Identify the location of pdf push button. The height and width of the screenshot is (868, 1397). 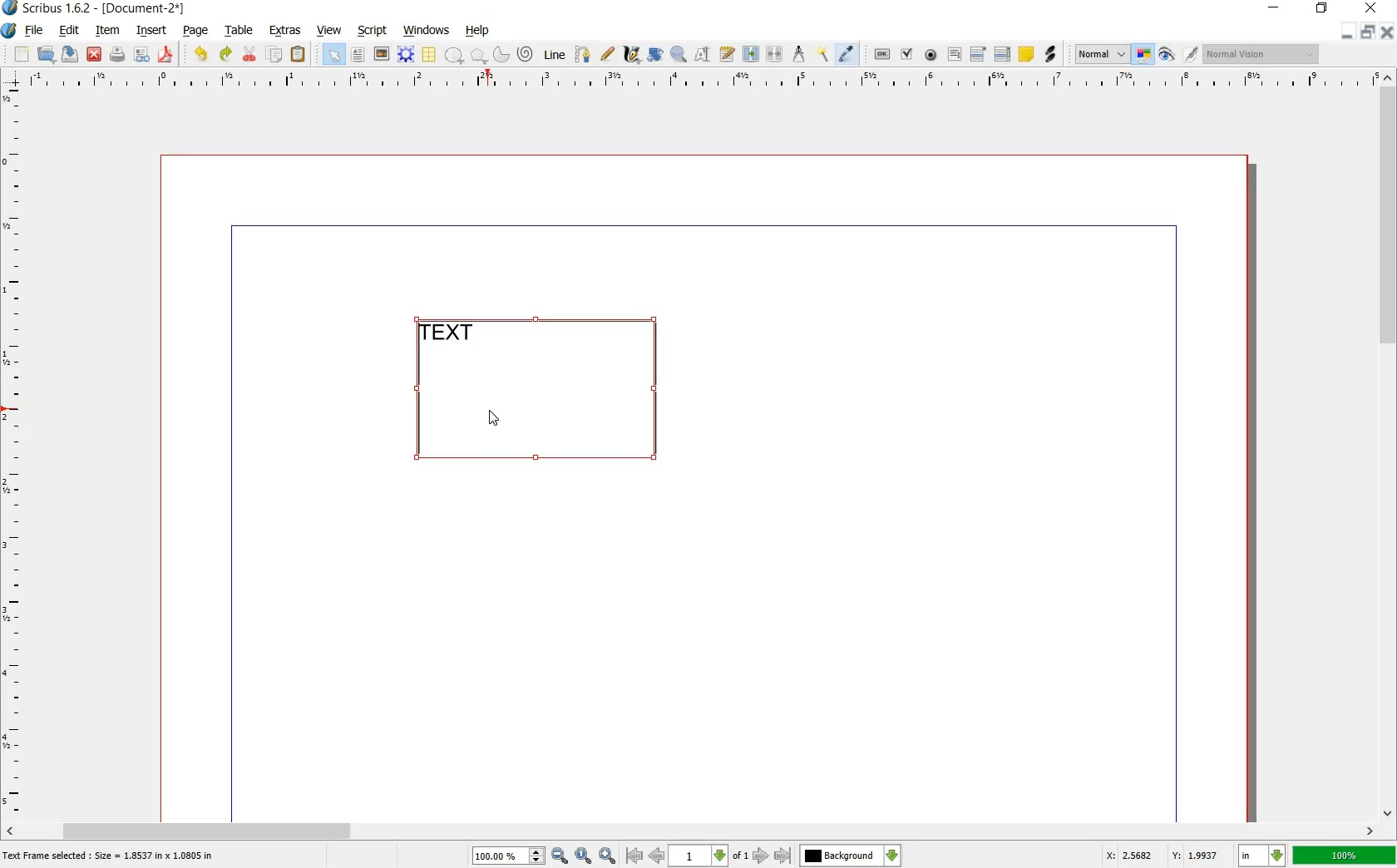
(882, 52).